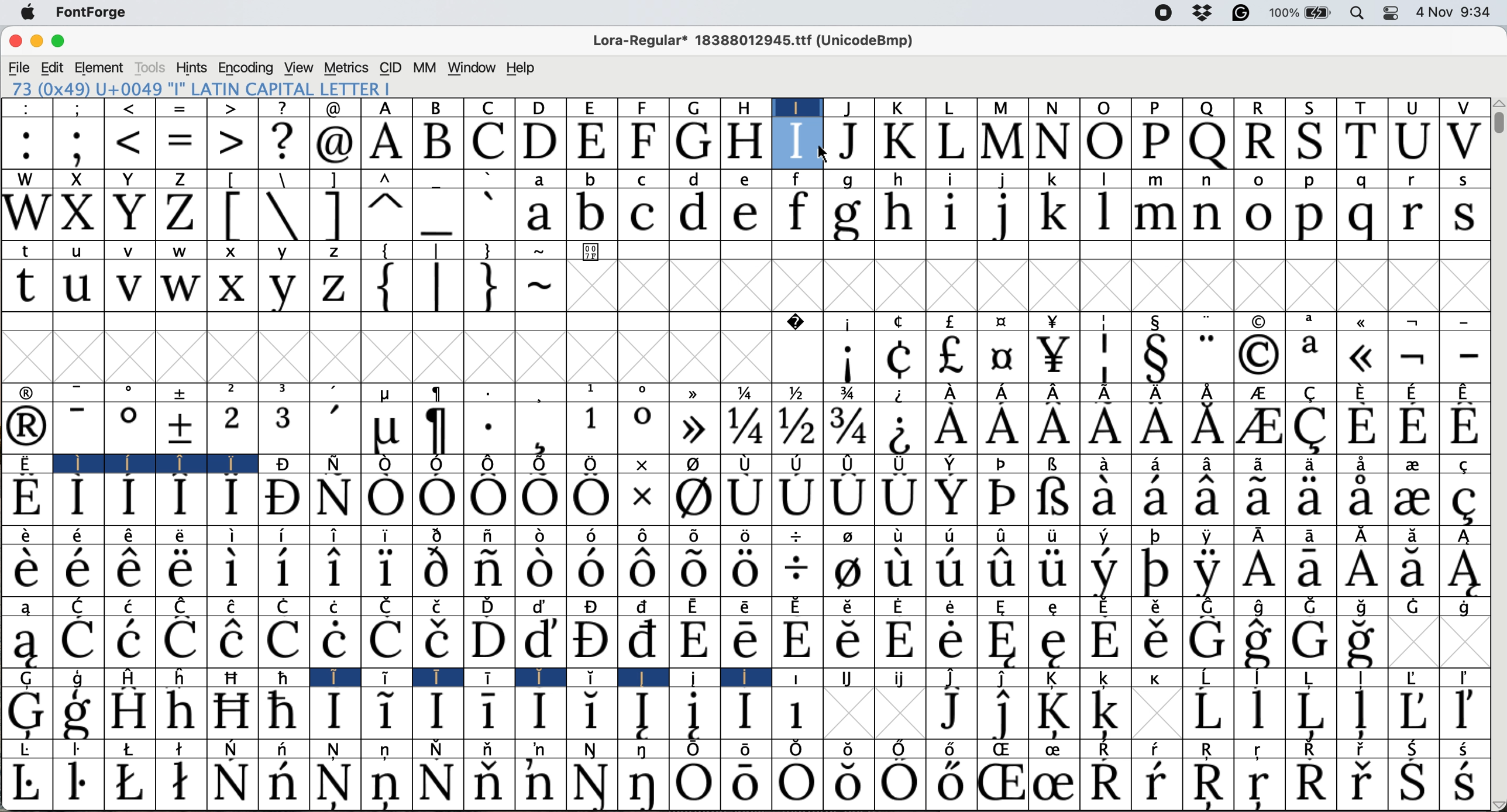 Image resolution: width=1507 pixels, height=812 pixels. I want to click on Symbol, so click(1365, 678).